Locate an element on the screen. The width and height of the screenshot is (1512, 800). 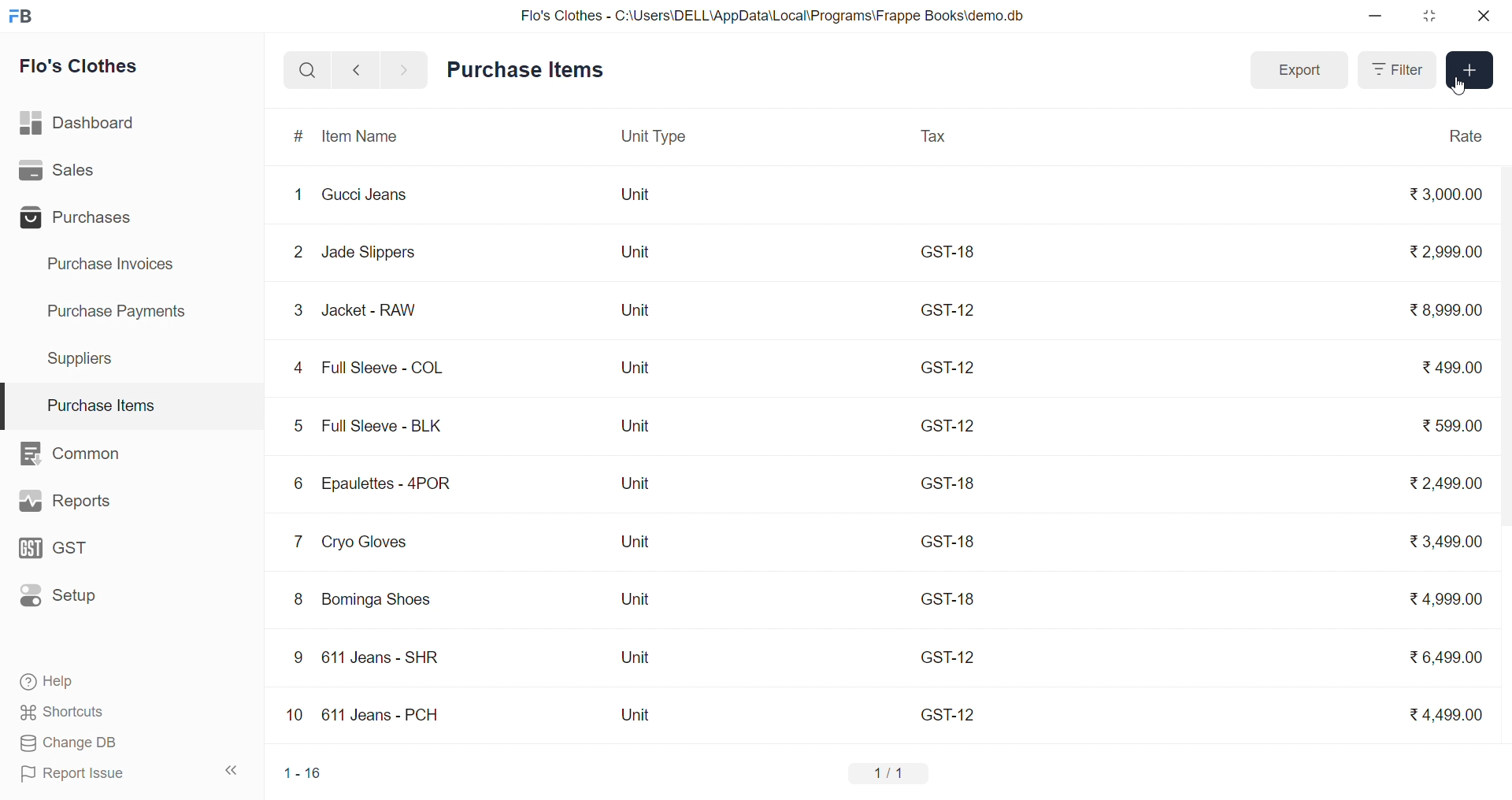
Help is located at coordinates (124, 680).